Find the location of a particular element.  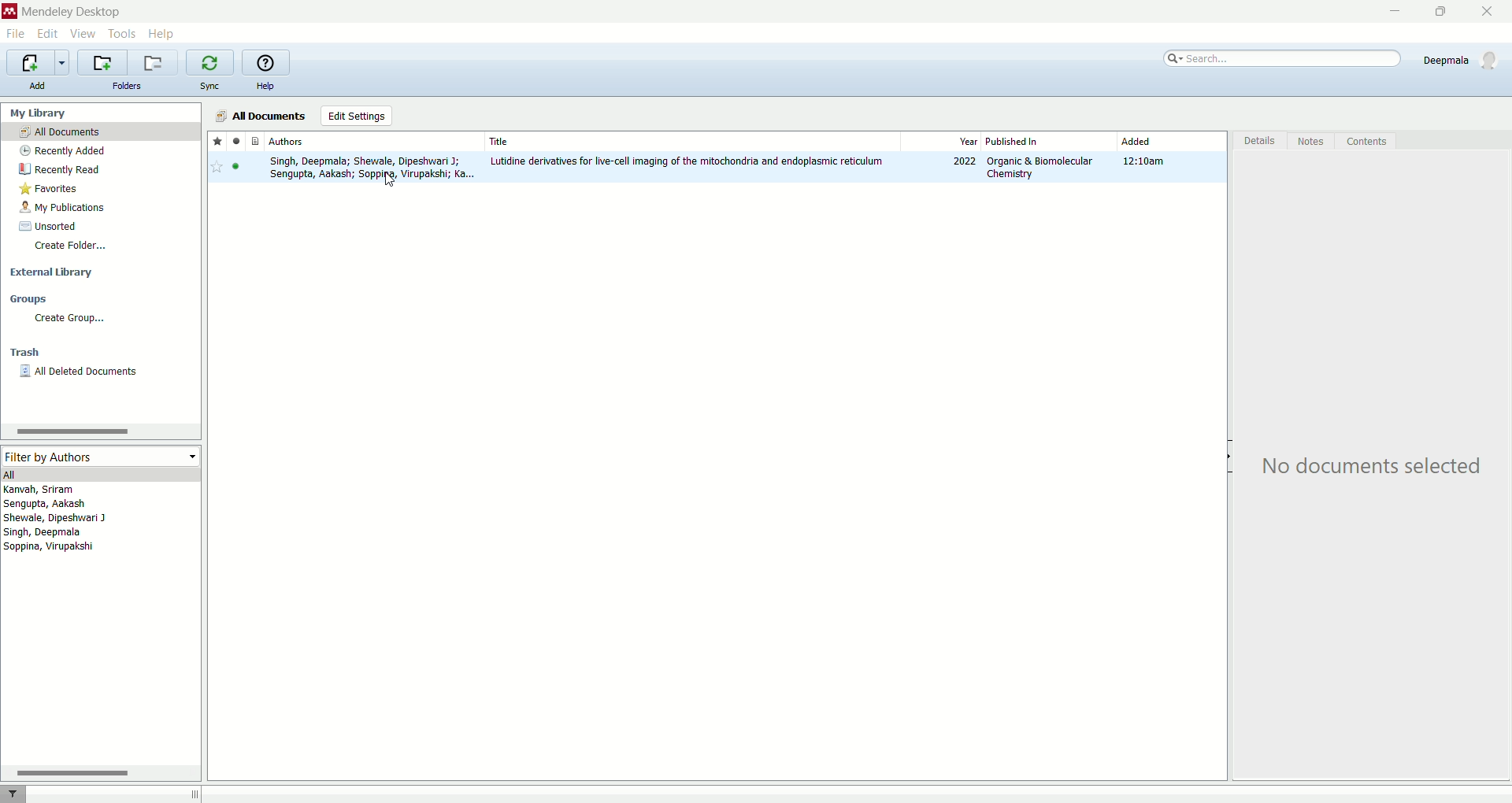

file is located at coordinates (17, 34).